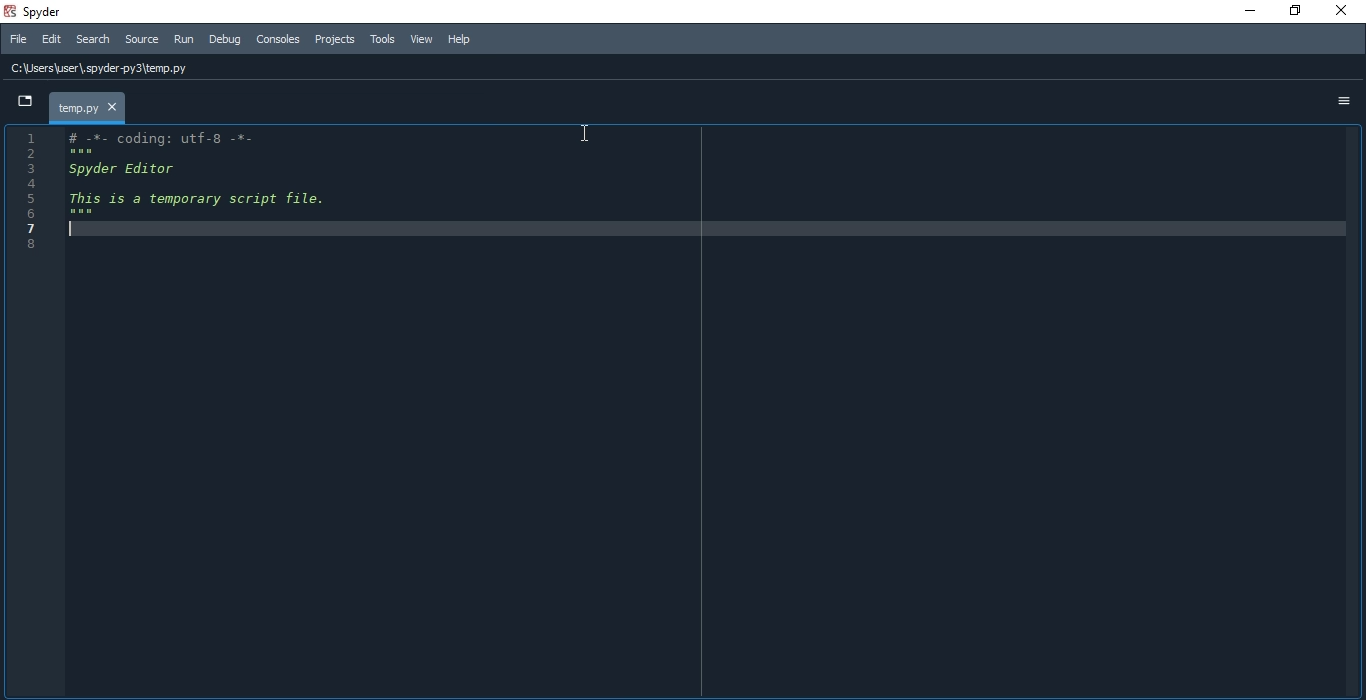 The image size is (1366, 700). Describe the element at coordinates (35, 245) in the screenshot. I see `8` at that location.